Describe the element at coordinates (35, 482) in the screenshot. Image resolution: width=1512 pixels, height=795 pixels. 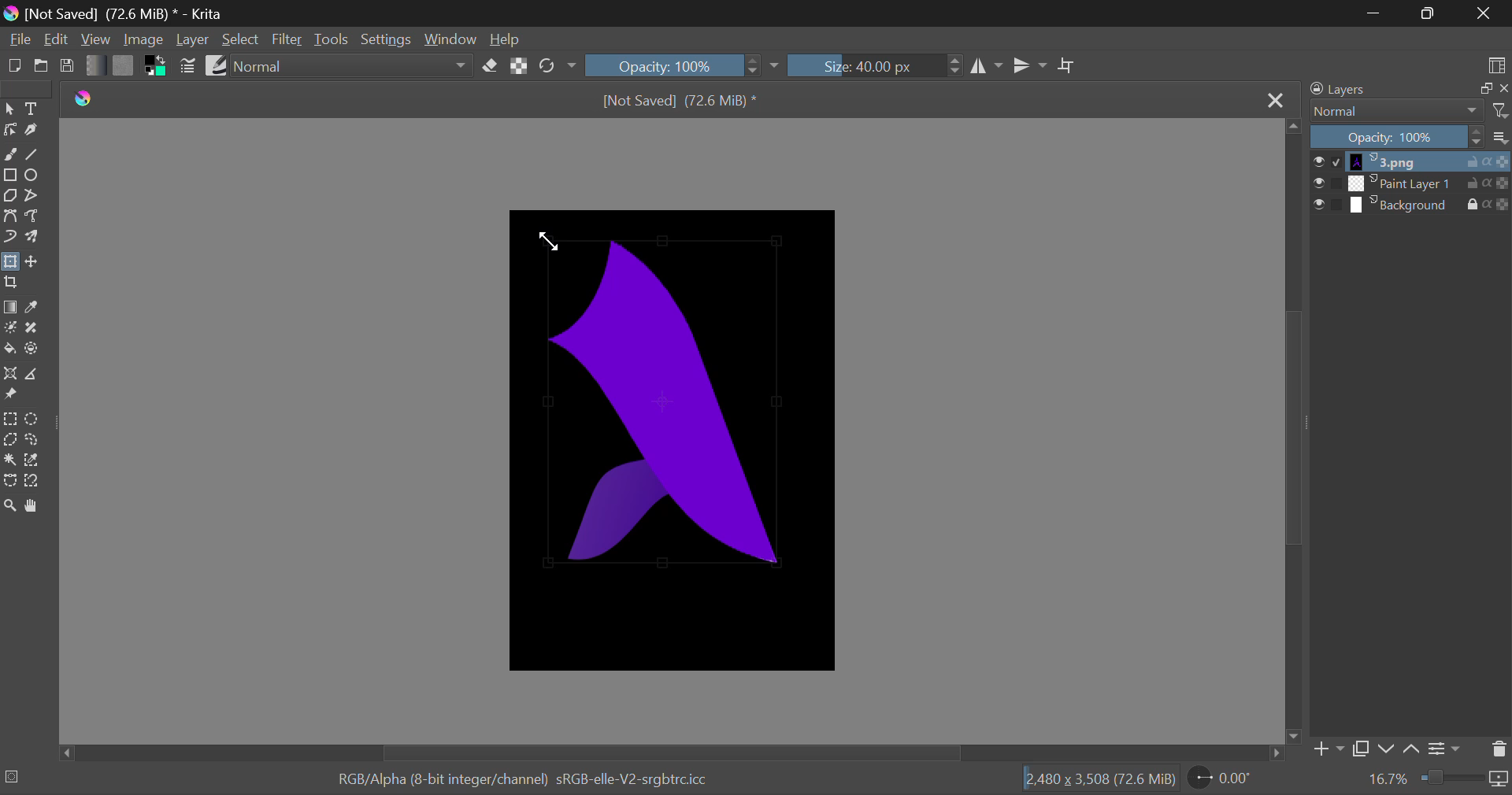
I see `Magnetic Curve Selection` at that location.